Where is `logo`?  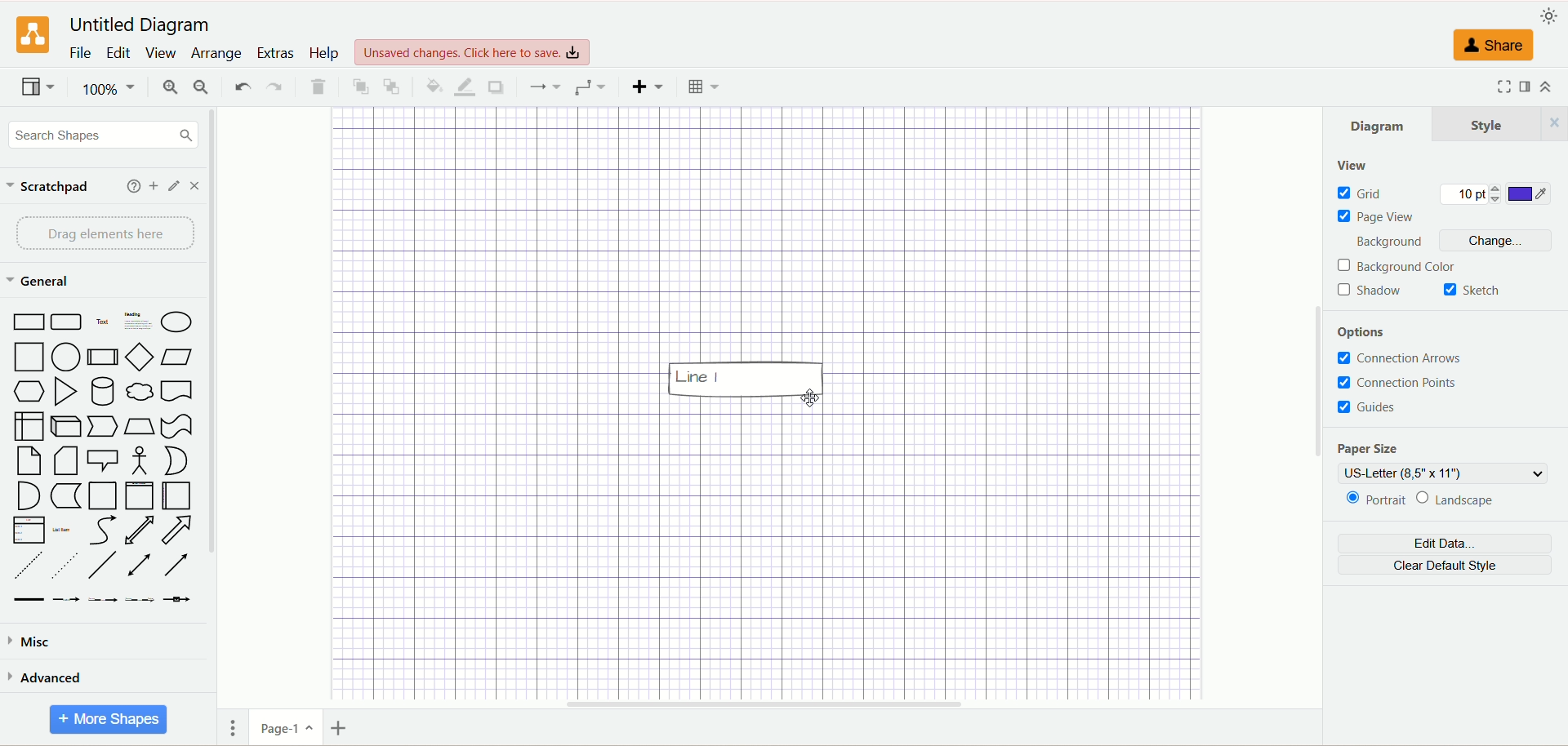 logo is located at coordinates (31, 35).